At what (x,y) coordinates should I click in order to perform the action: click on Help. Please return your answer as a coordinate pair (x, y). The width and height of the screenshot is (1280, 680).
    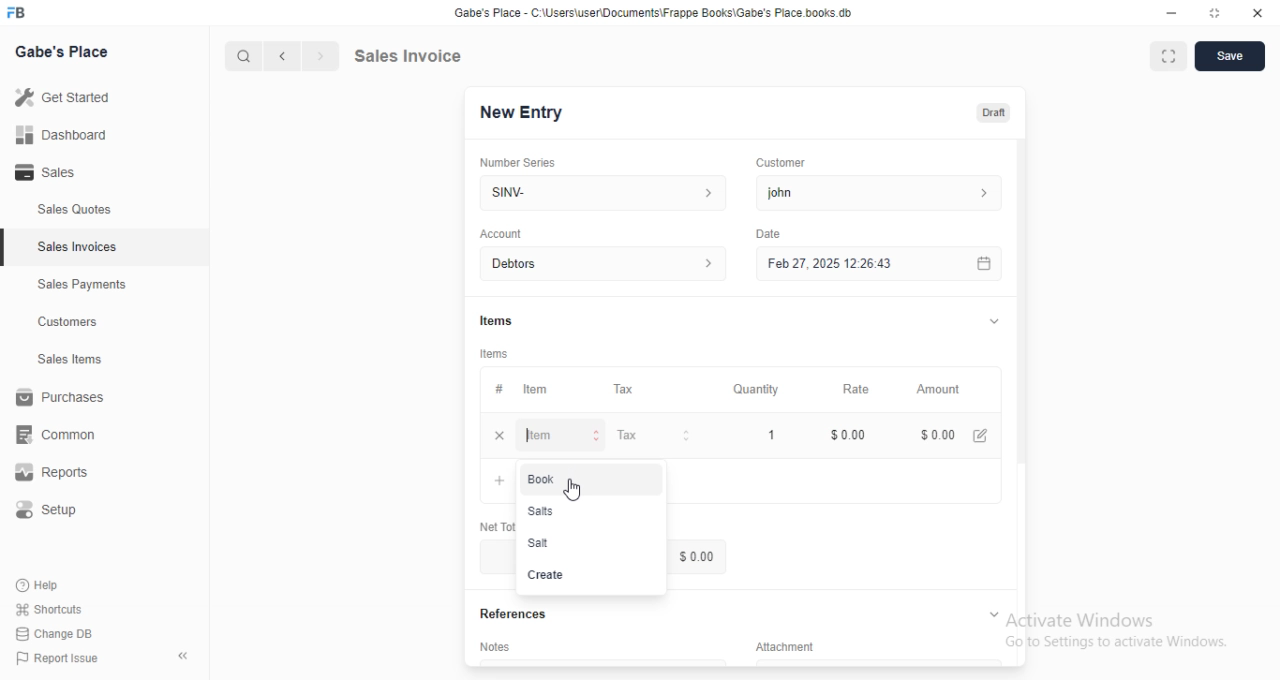
    Looking at the image, I should click on (44, 585).